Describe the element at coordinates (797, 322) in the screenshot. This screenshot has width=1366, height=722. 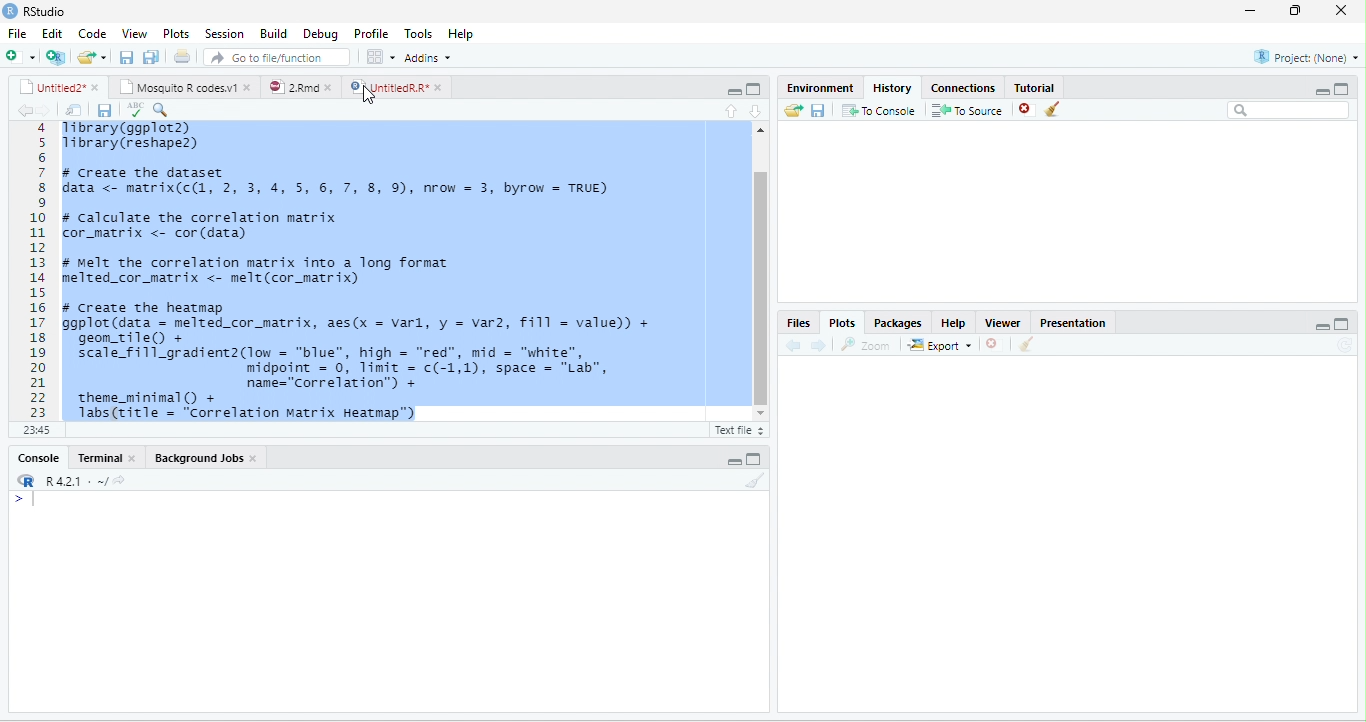
I see `files` at that location.